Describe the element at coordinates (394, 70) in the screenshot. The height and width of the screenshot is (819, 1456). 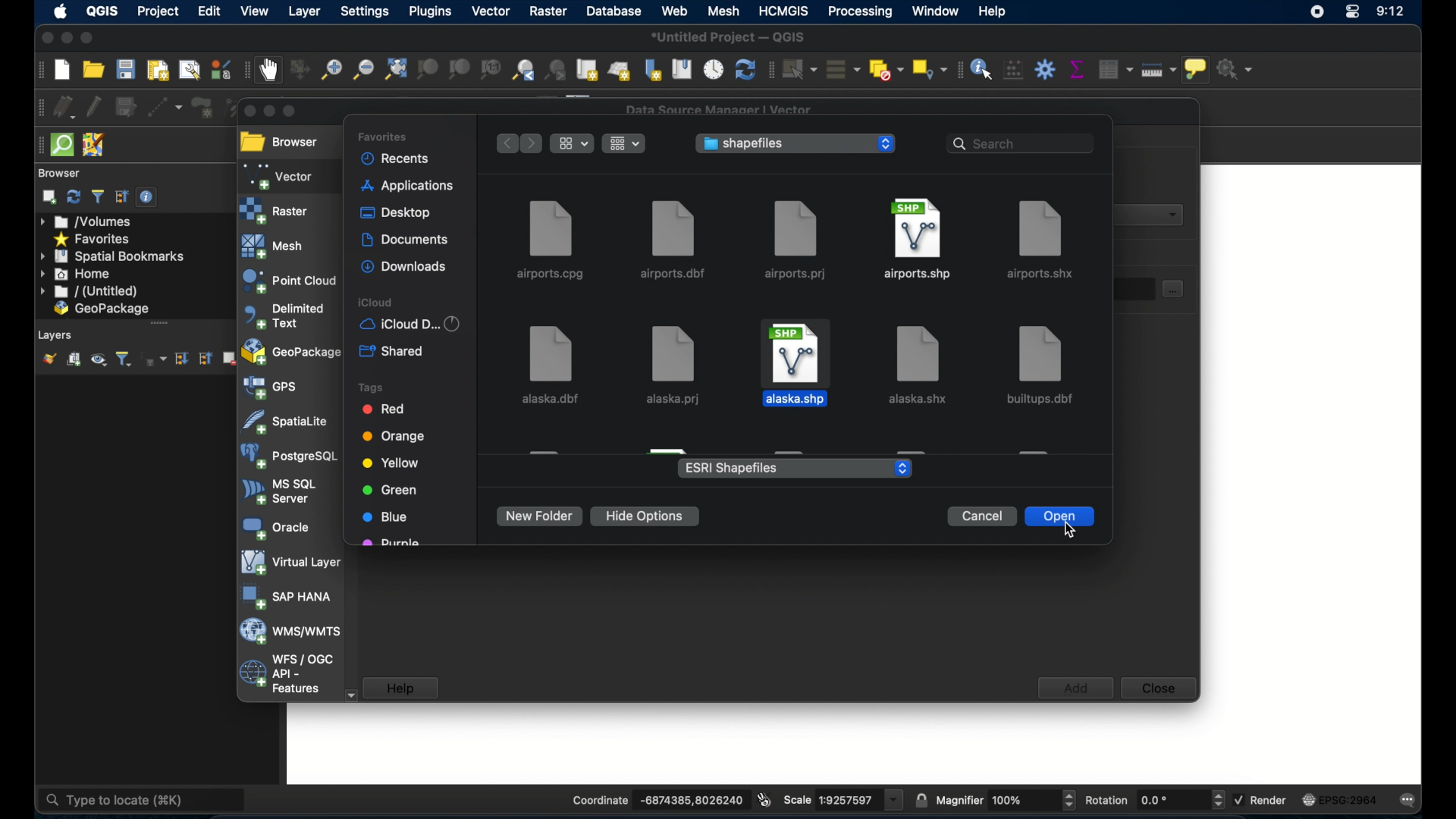
I see `zoom full` at that location.